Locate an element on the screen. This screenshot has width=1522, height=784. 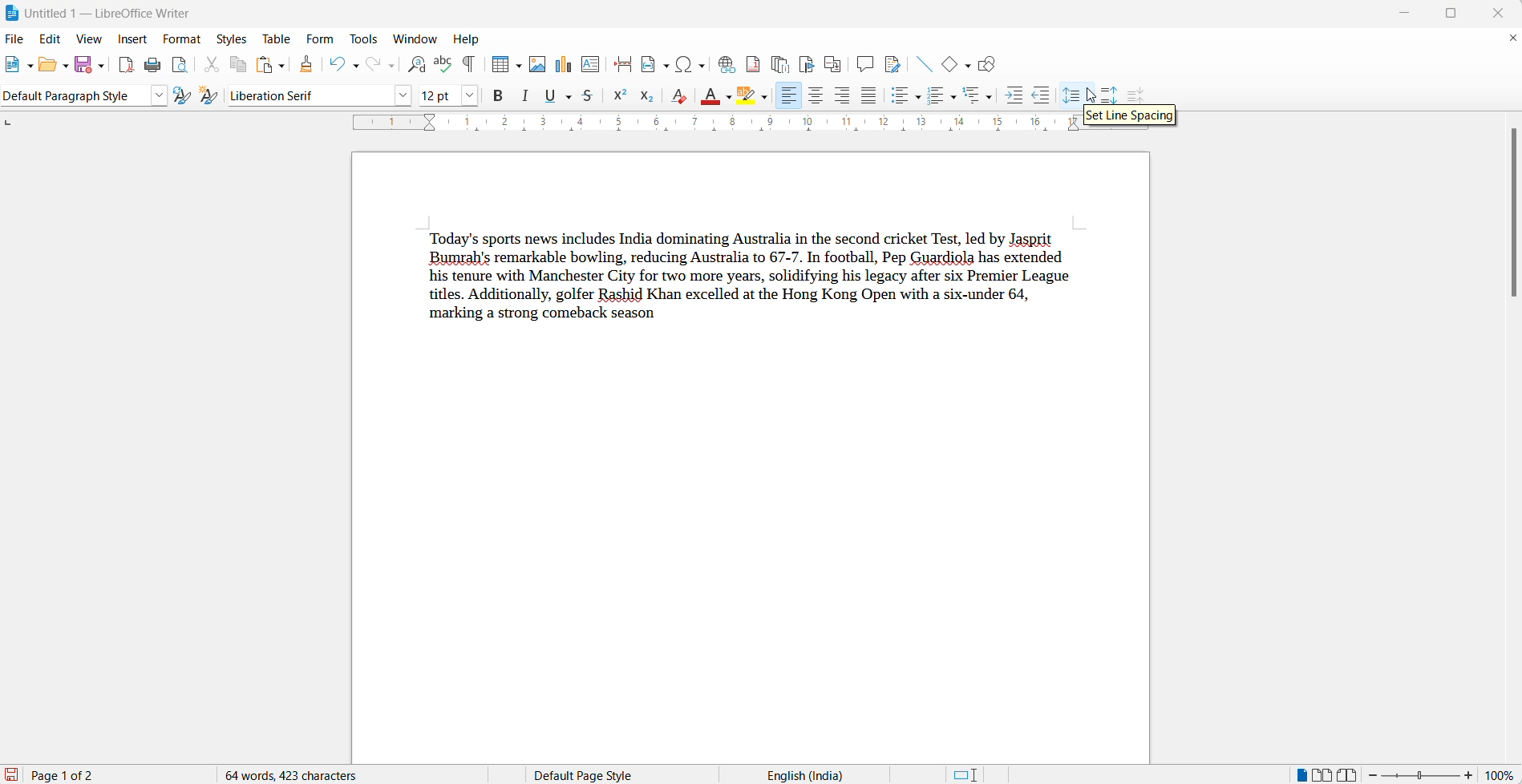
toggle print preview is located at coordinates (180, 64).